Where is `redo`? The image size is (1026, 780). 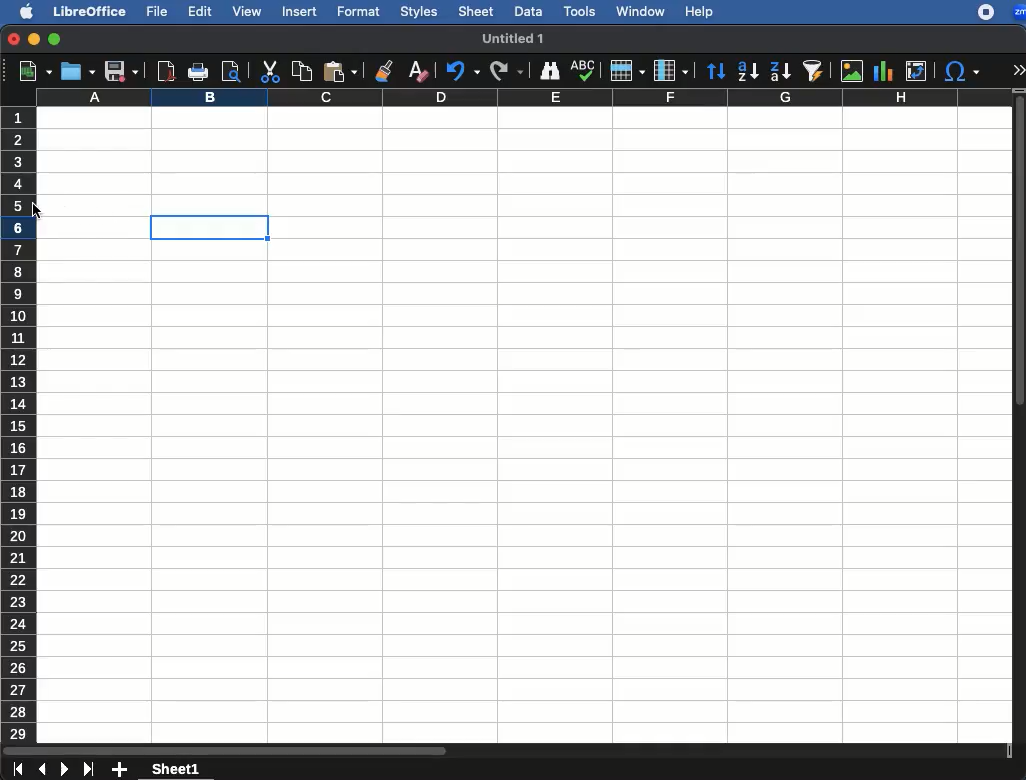
redo is located at coordinates (507, 70).